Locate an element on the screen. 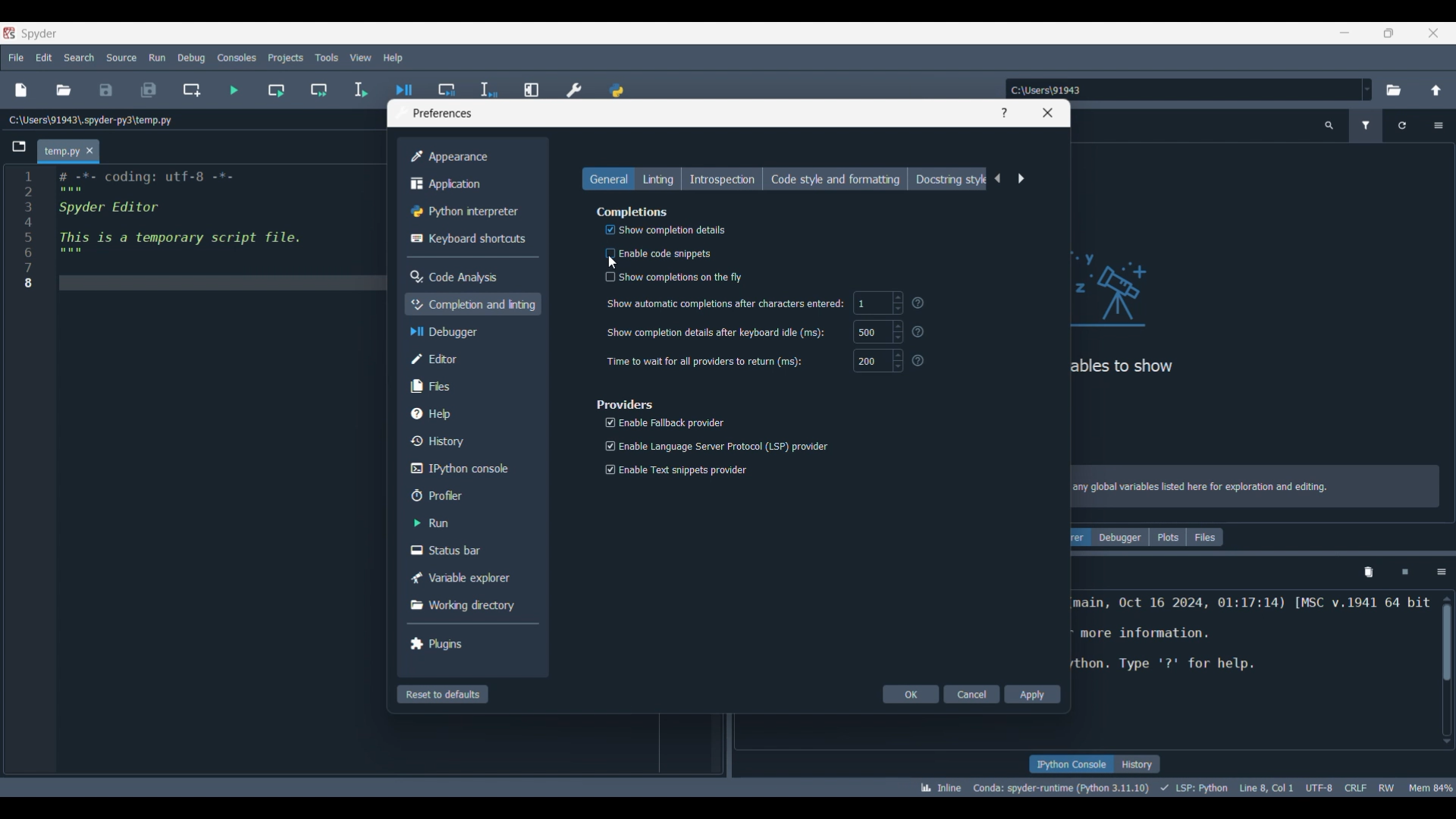 The image size is (1456, 819). Preferences is located at coordinates (575, 86).